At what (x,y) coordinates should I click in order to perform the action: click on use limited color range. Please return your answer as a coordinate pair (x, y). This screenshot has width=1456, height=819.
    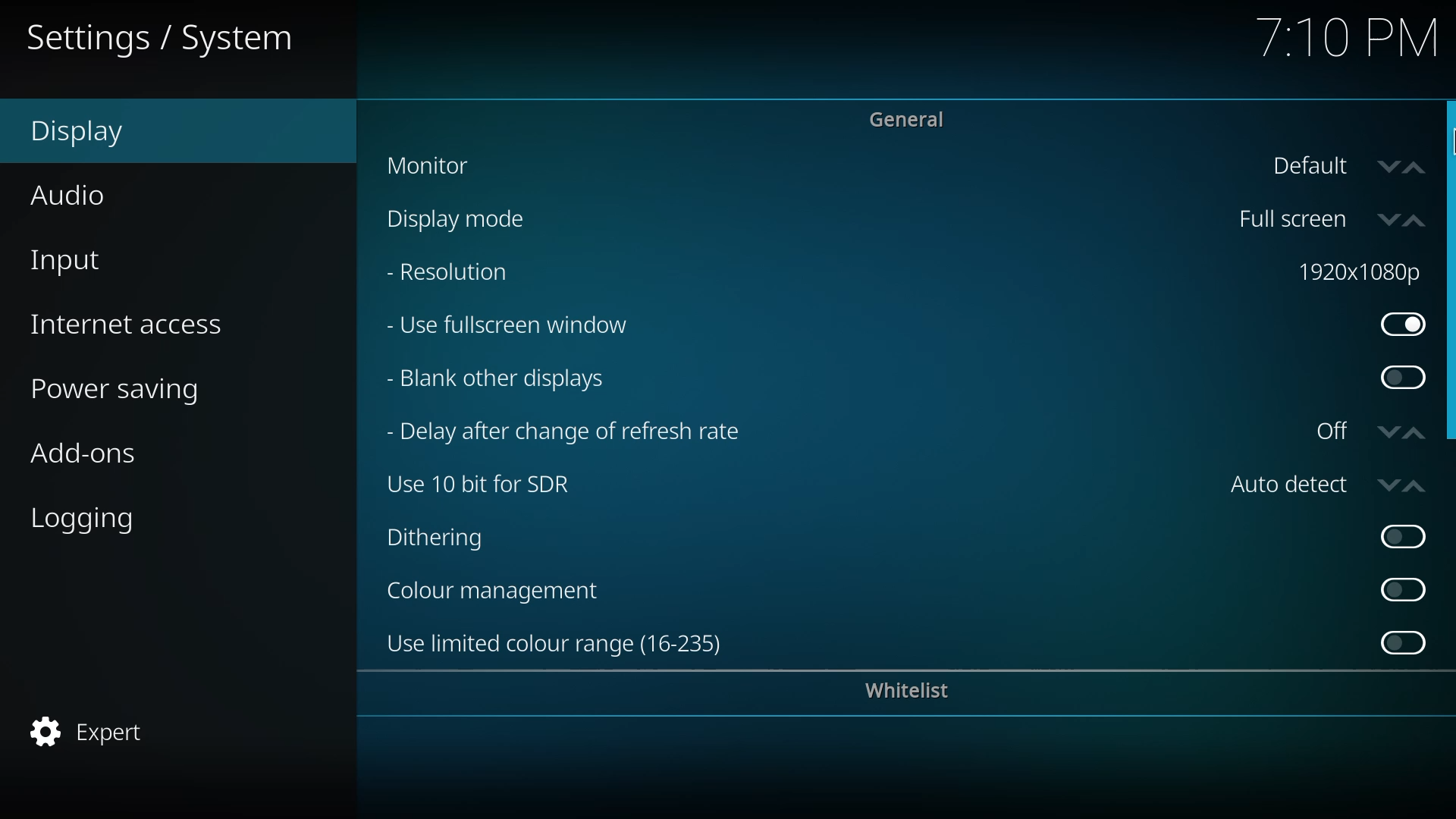
    Looking at the image, I should click on (552, 645).